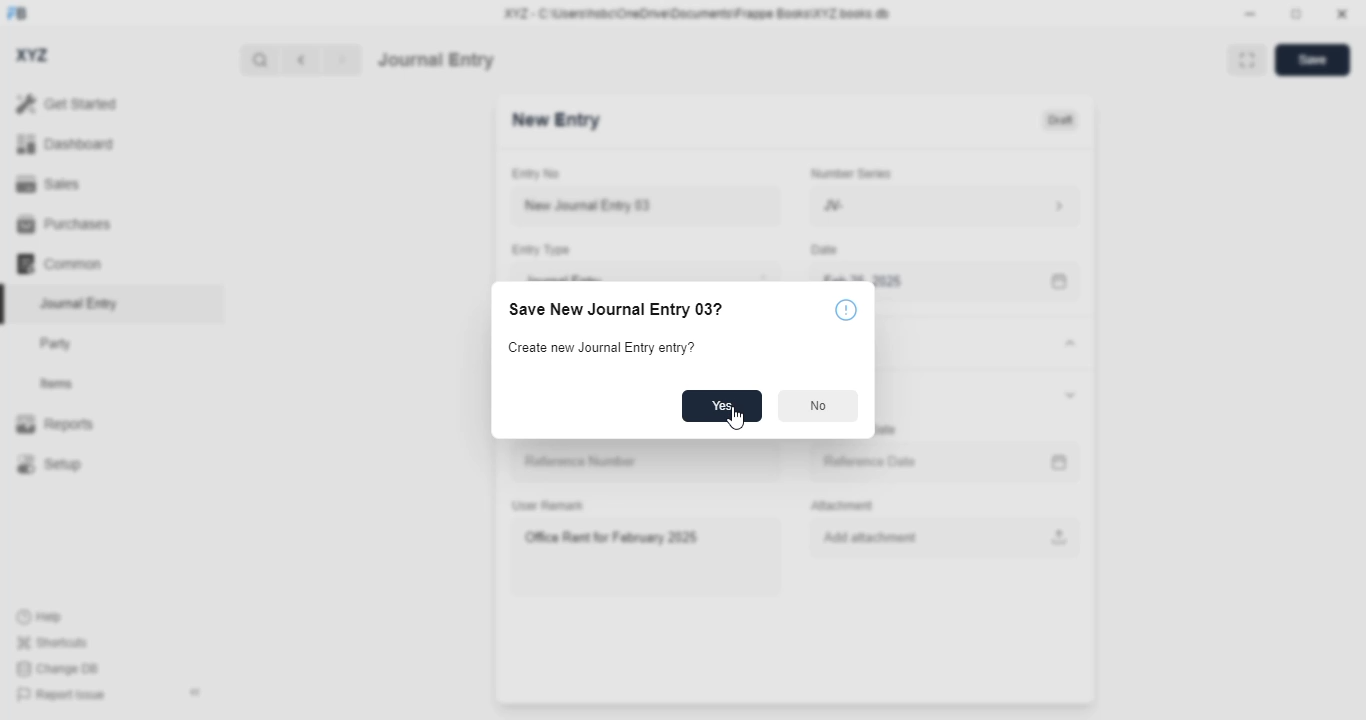 The image size is (1366, 720). What do you see at coordinates (1295, 14) in the screenshot?
I see `toggle maximize` at bounding box center [1295, 14].